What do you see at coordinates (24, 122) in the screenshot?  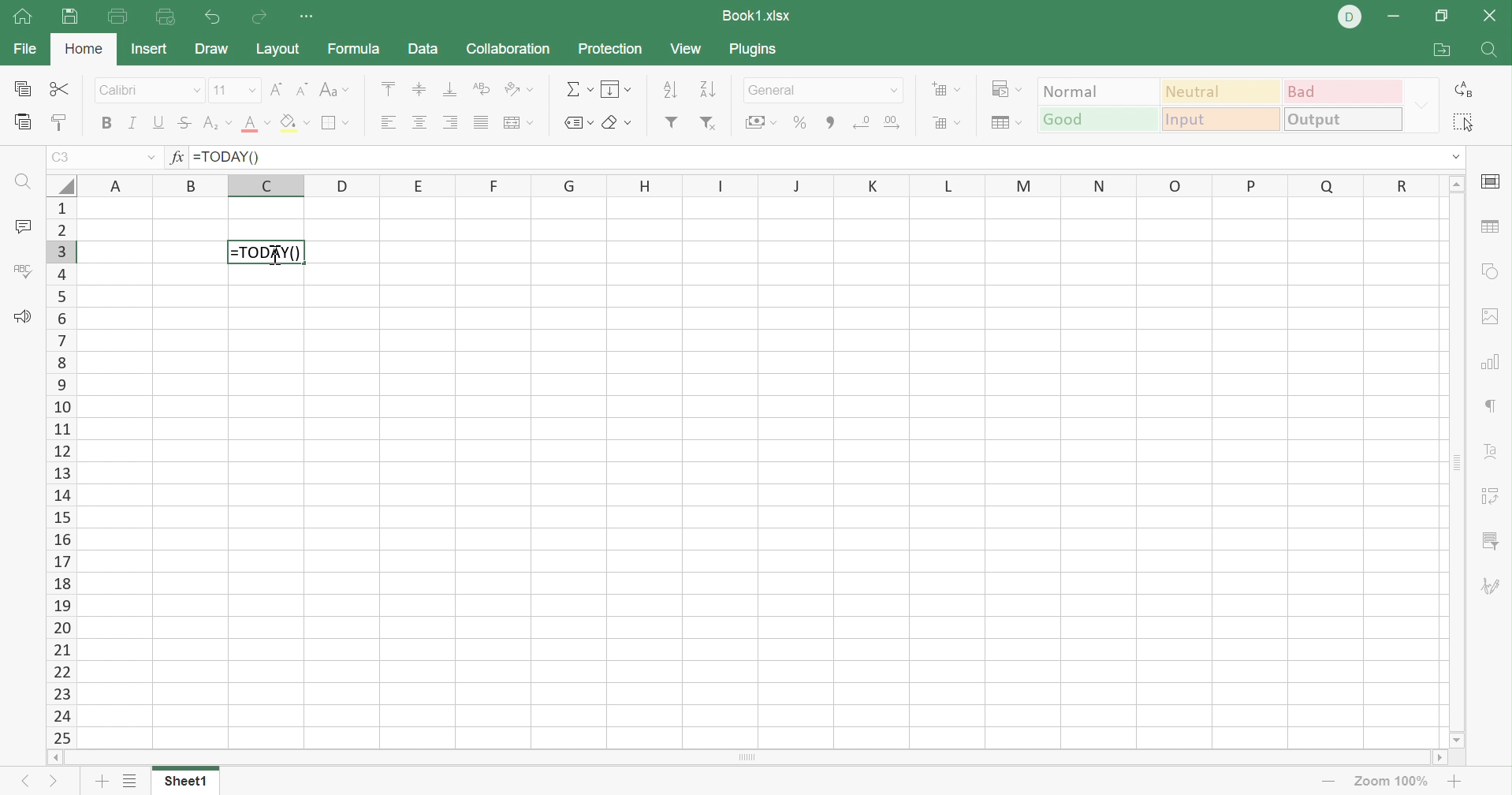 I see `Paste` at bounding box center [24, 122].